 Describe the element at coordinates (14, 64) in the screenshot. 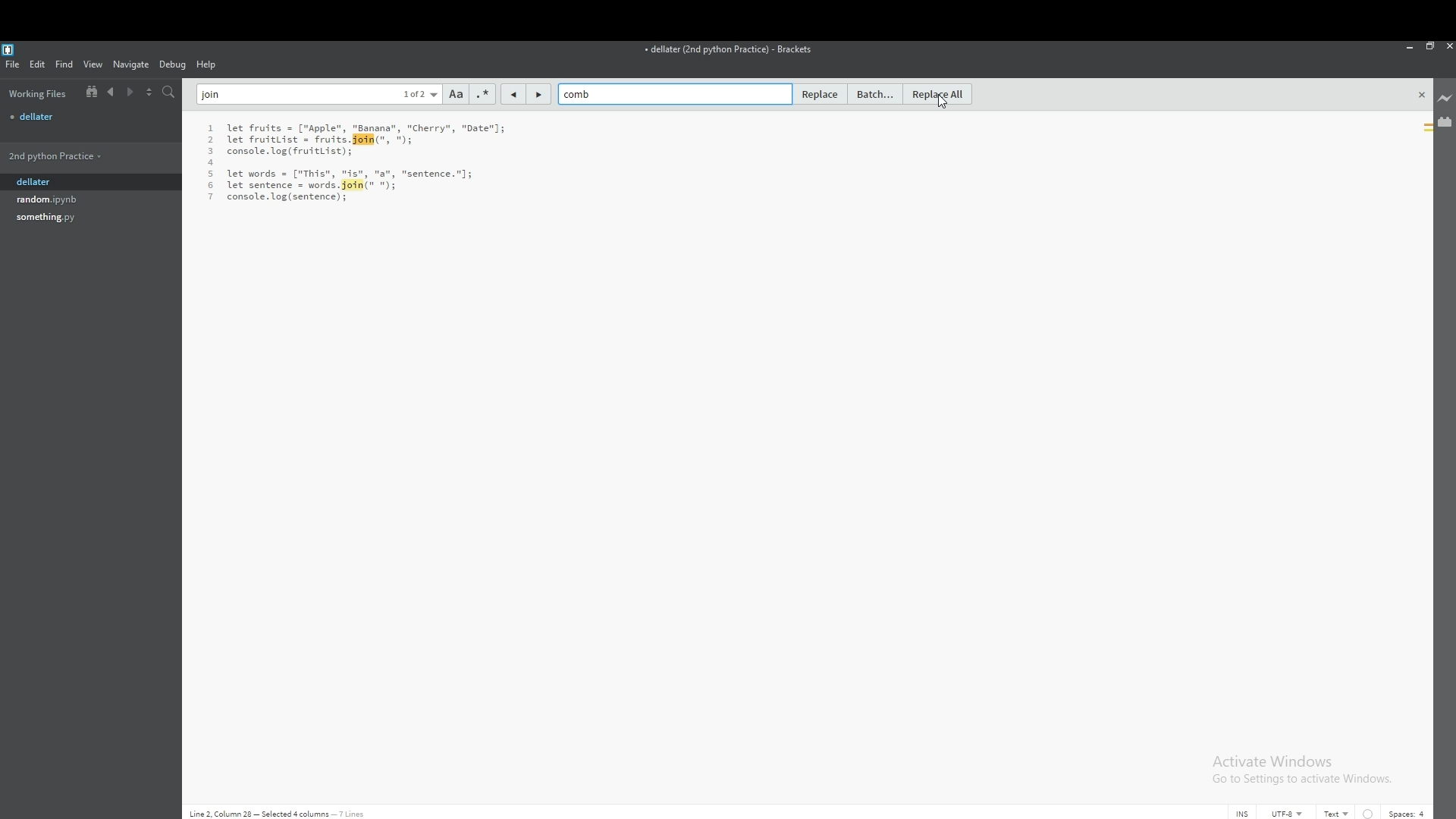

I see `file` at that location.